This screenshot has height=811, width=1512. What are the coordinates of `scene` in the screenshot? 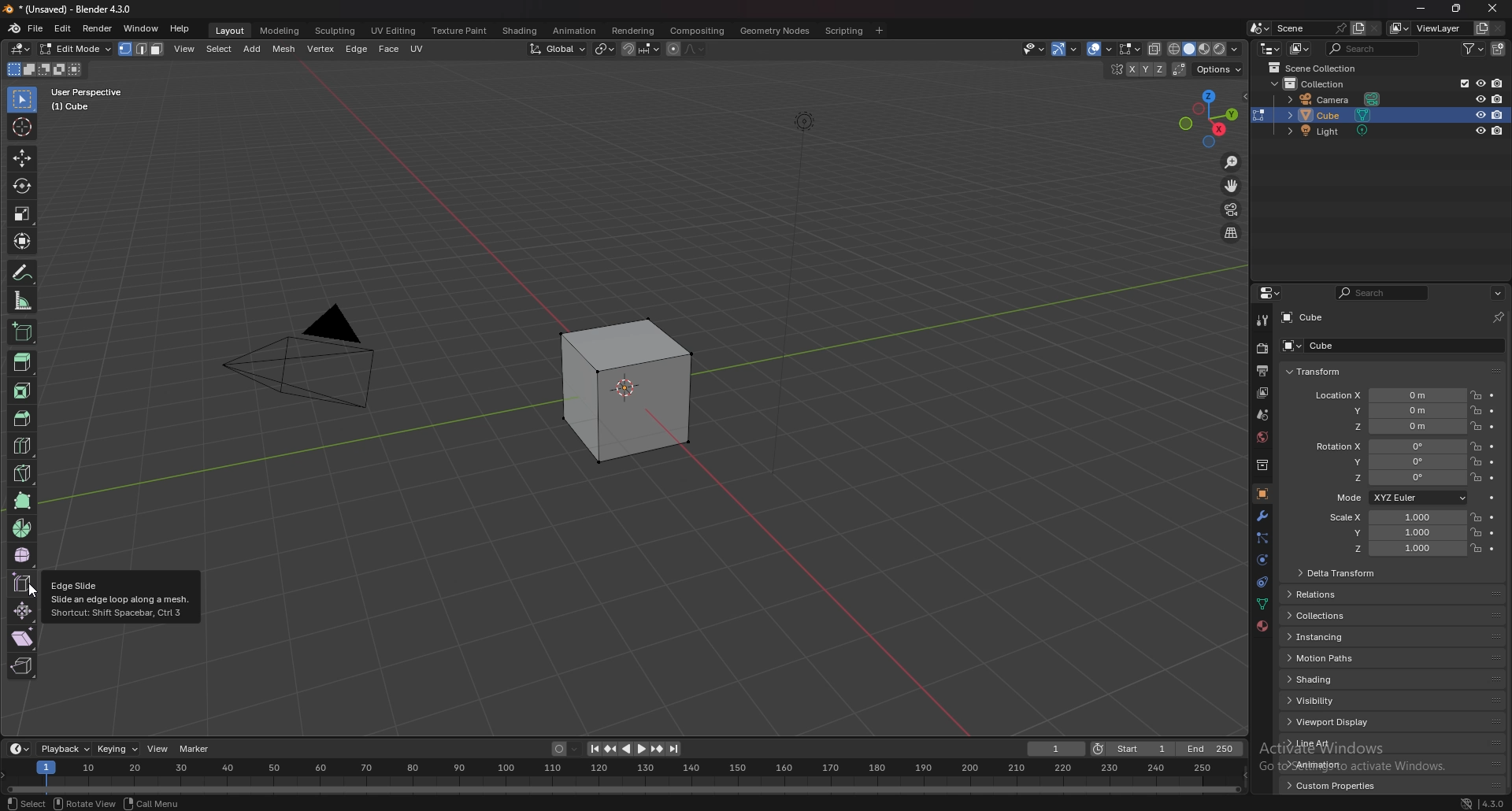 It's located at (1265, 413).